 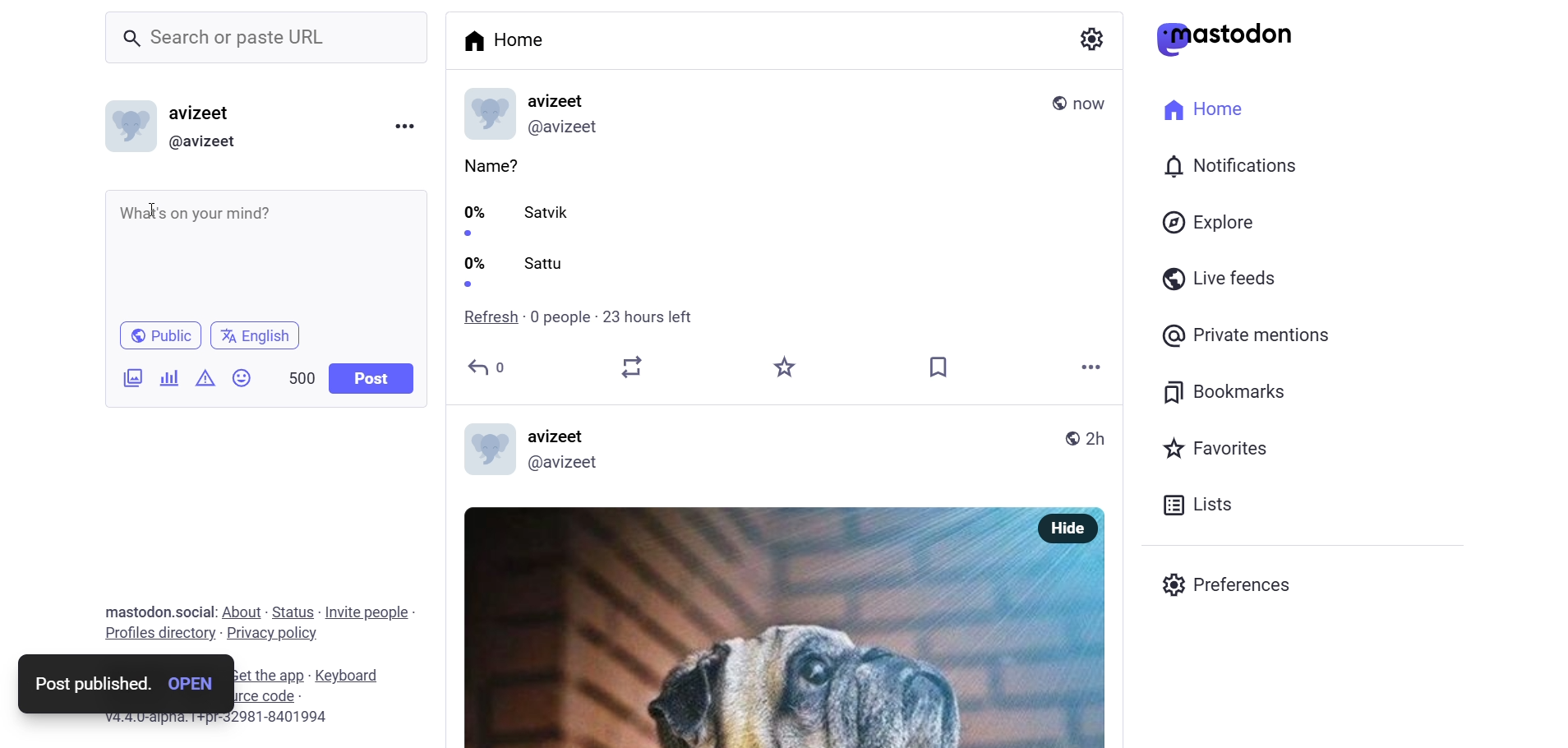 What do you see at coordinates (1095, 439) in the screenshot?
I see `2h` at bounding box center [1095, 439].